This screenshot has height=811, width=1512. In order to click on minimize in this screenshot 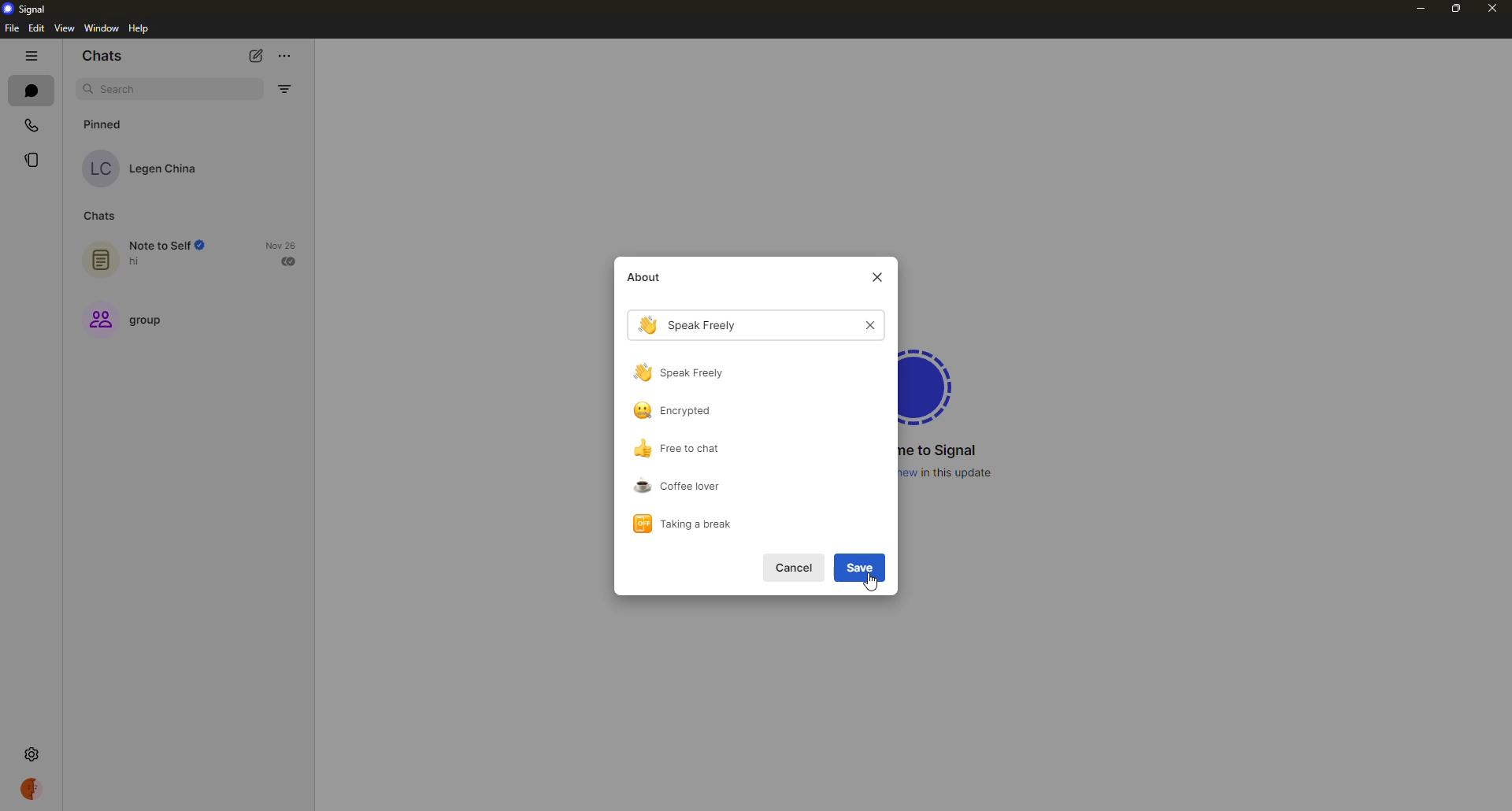, I will do `click(1415, 10)`.